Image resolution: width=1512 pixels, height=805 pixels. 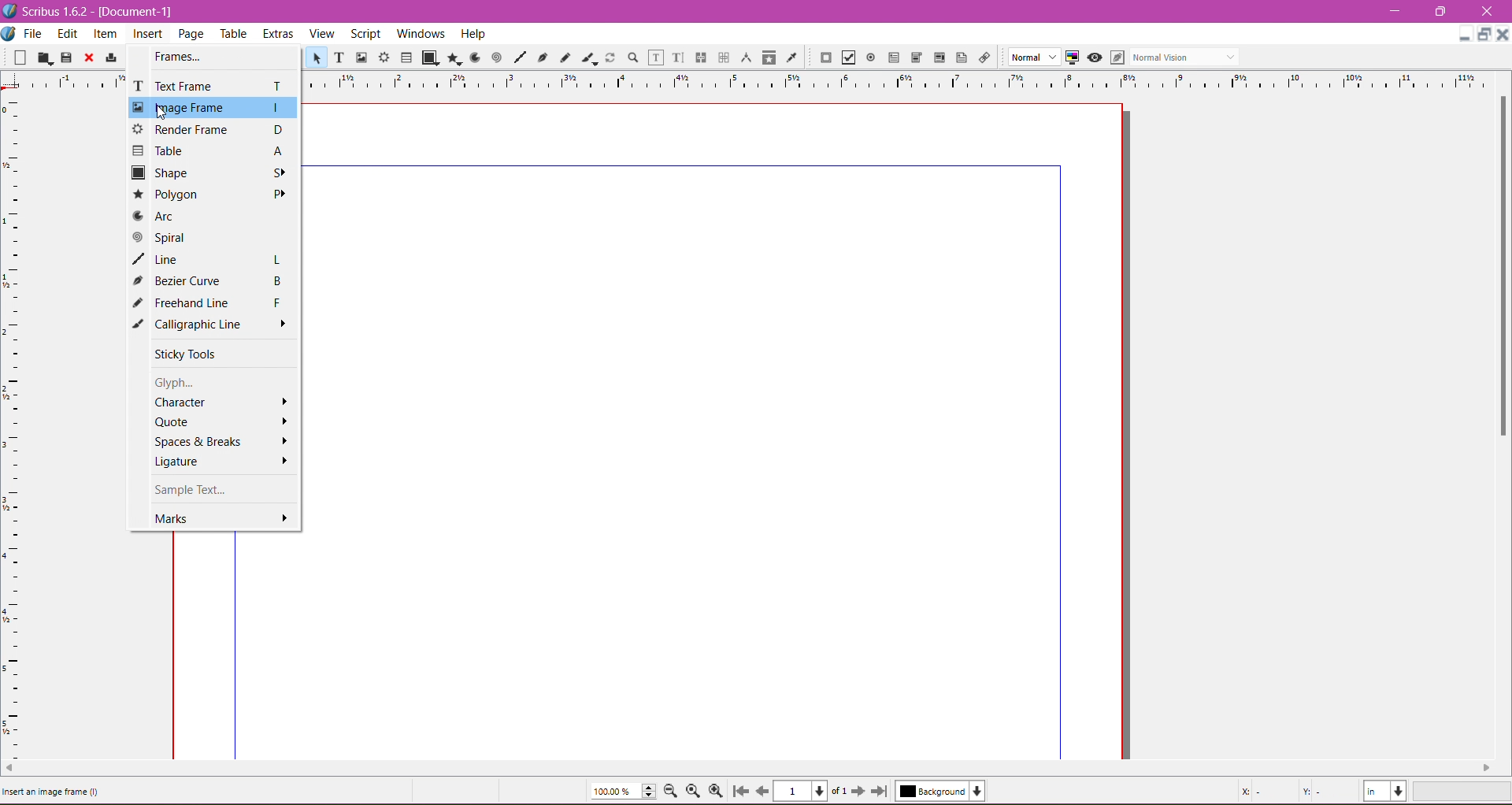 I want to click on Render Frame, so click(x=385, y=57).